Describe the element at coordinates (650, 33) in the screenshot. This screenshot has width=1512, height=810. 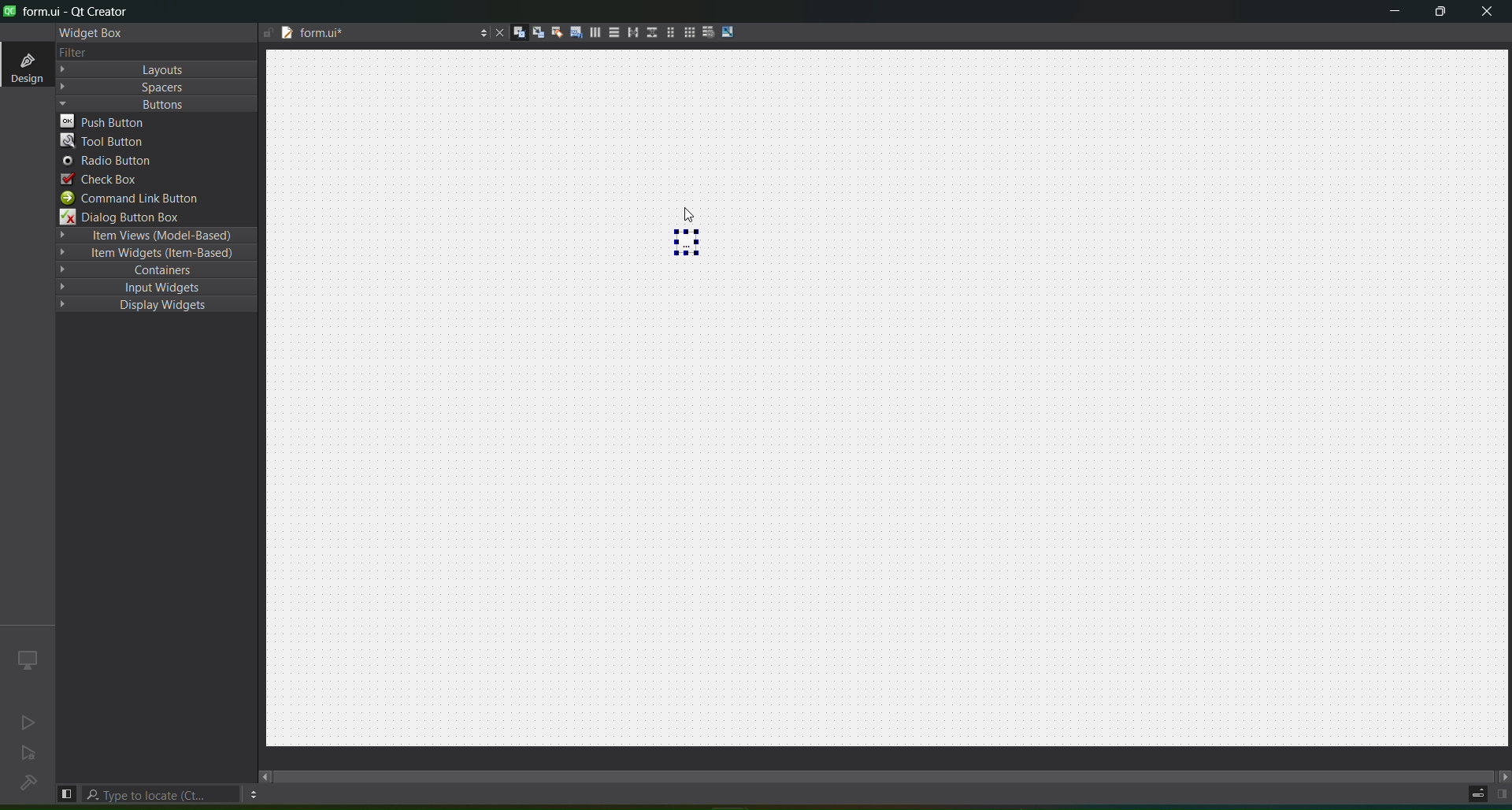
I see `layout vertical splitter` at that location.